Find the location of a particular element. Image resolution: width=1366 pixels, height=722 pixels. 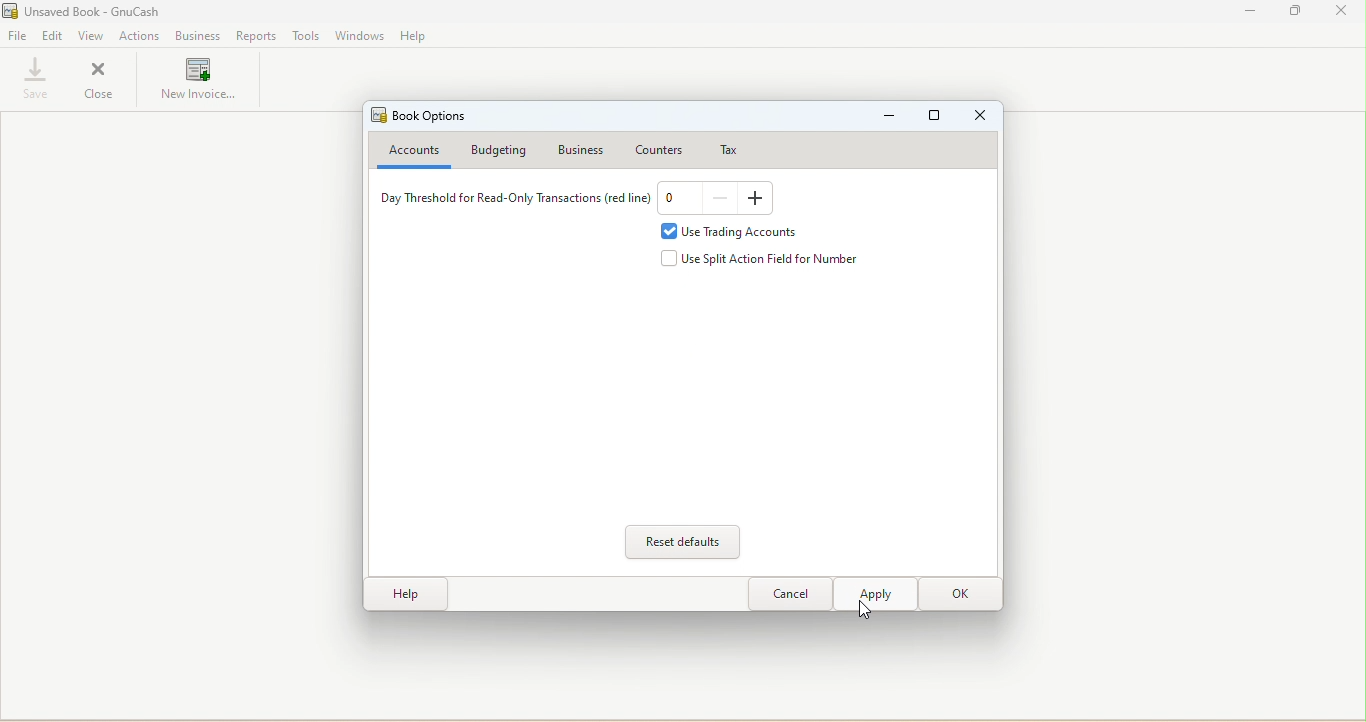

Day threshold for Read-only transactions (red line) is located at coordinates (511, 201).